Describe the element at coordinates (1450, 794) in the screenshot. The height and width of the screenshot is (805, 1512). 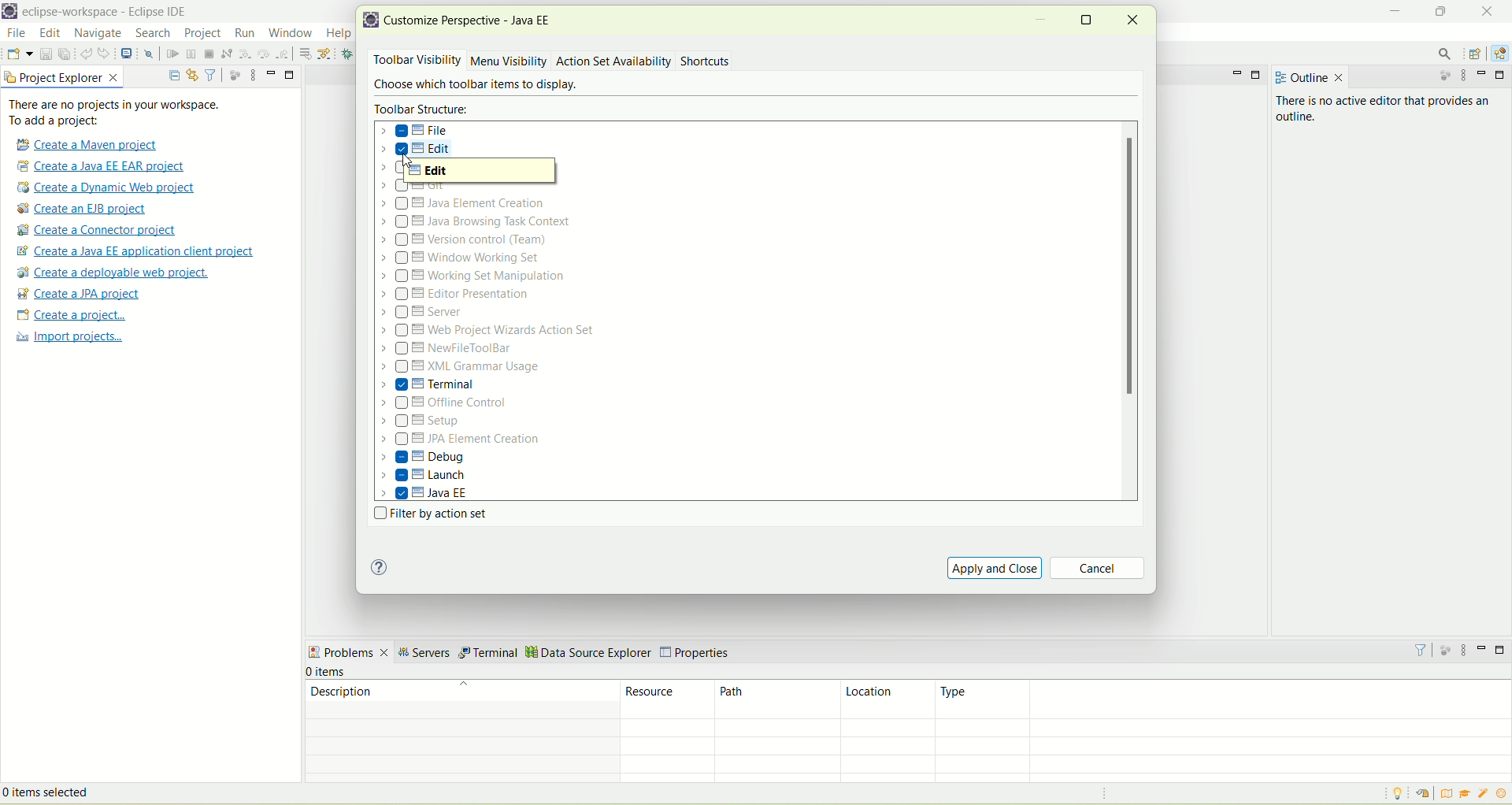
I see `overview` at that location.